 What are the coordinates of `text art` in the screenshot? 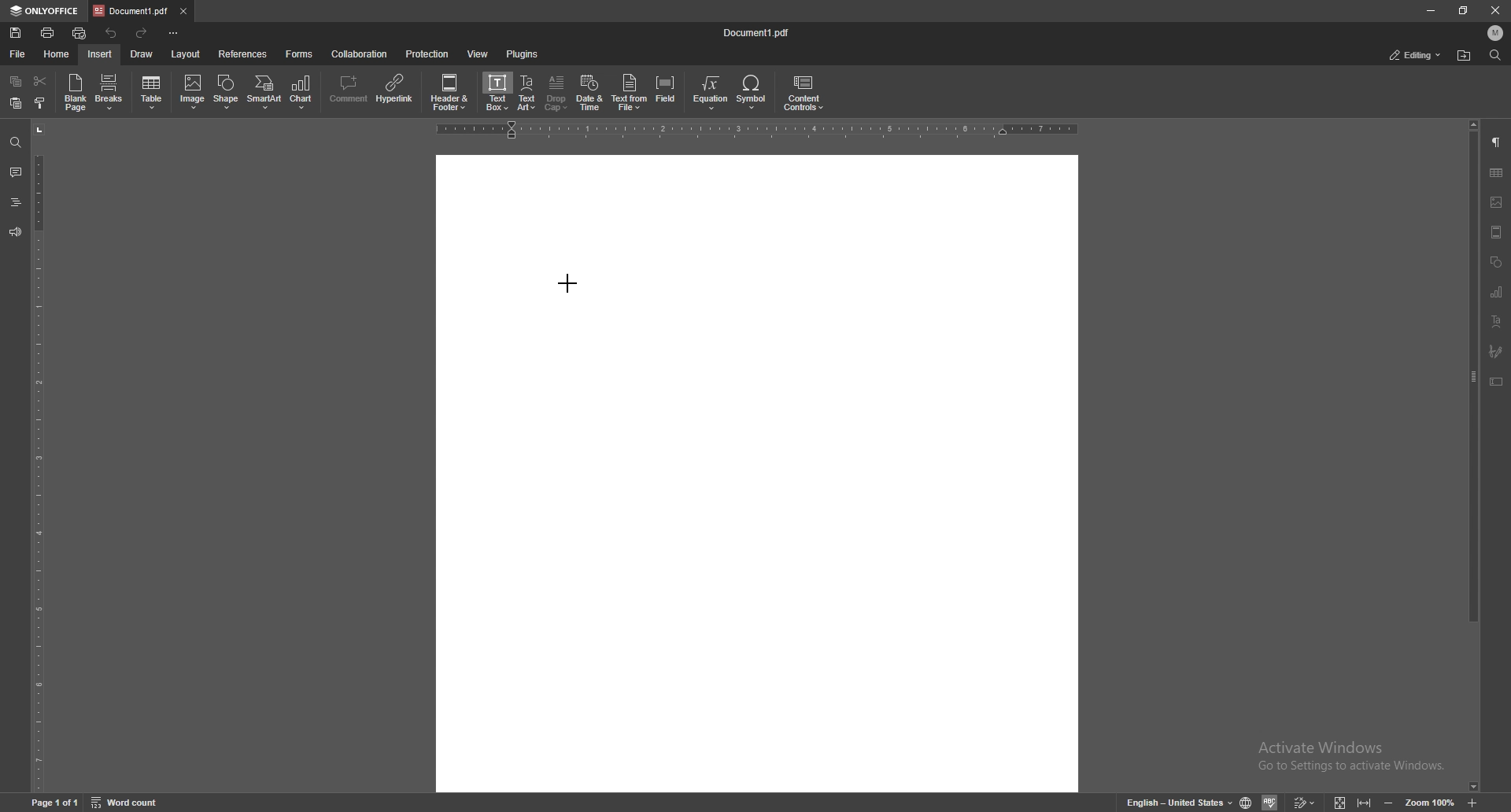 It's located at (528, 94).